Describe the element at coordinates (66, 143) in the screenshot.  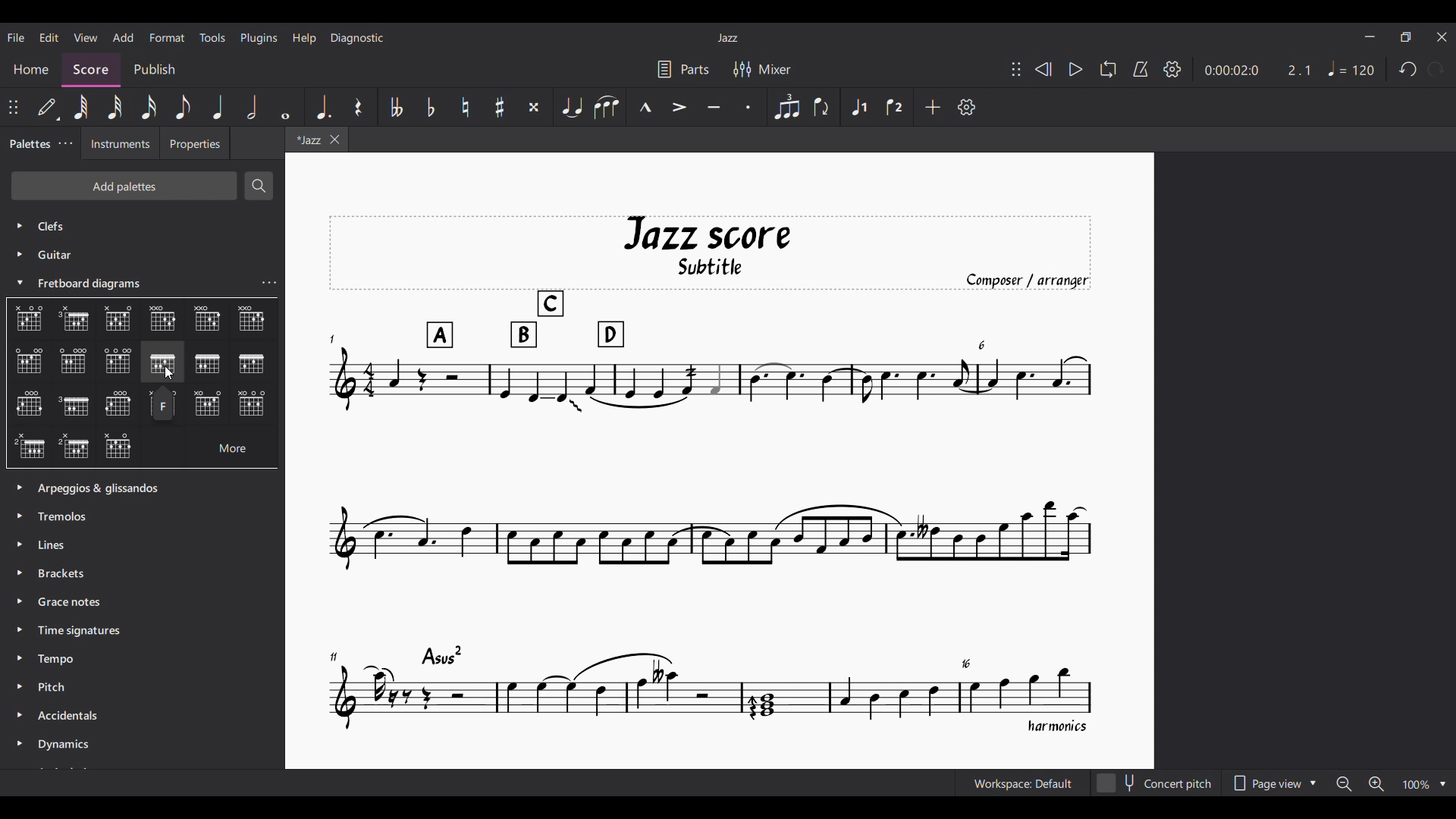
I see `Palette settings` at that location.